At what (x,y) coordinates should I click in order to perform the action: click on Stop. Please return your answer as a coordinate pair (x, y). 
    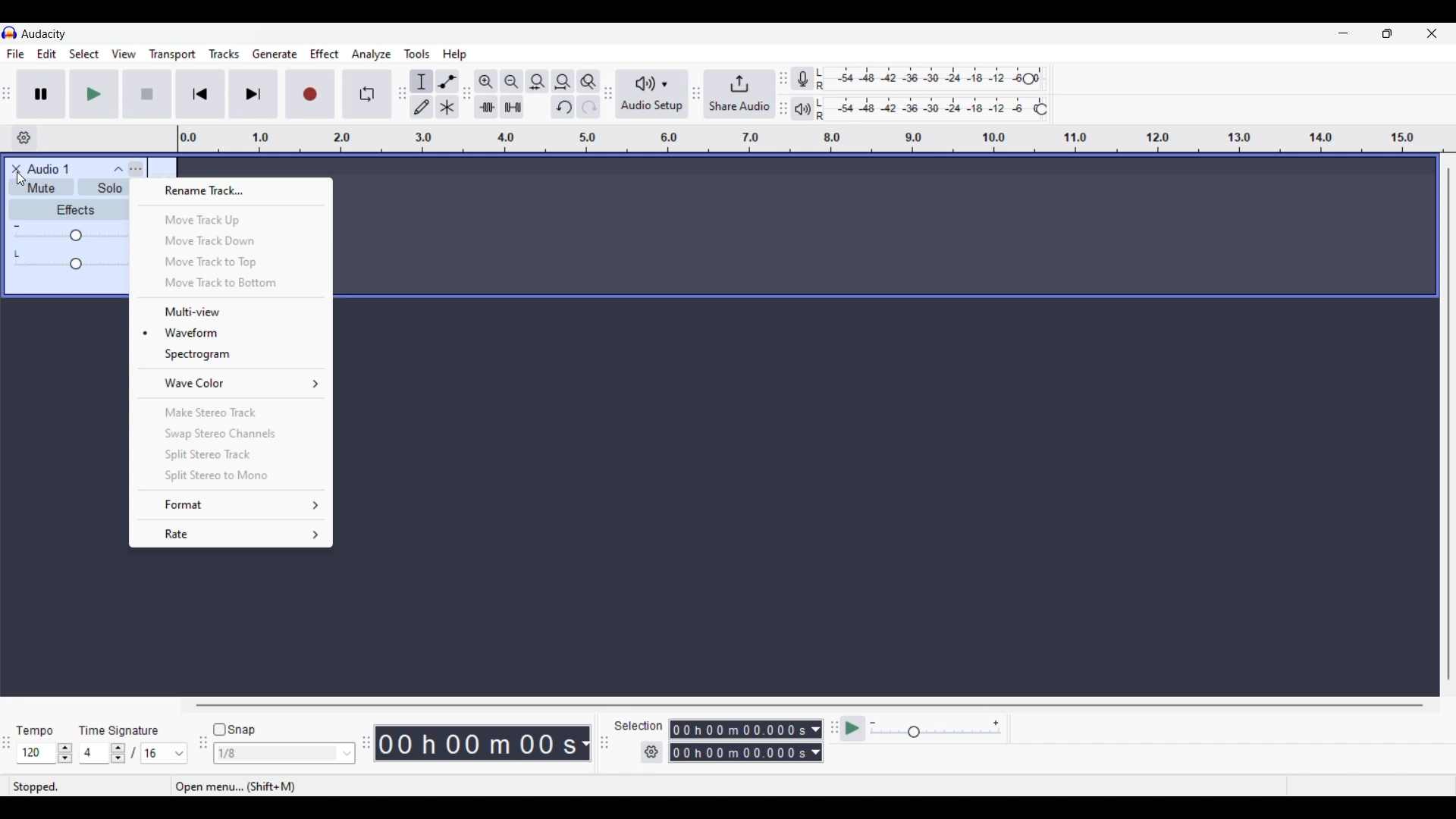
    Looking at the image, I should click on (148, 94).